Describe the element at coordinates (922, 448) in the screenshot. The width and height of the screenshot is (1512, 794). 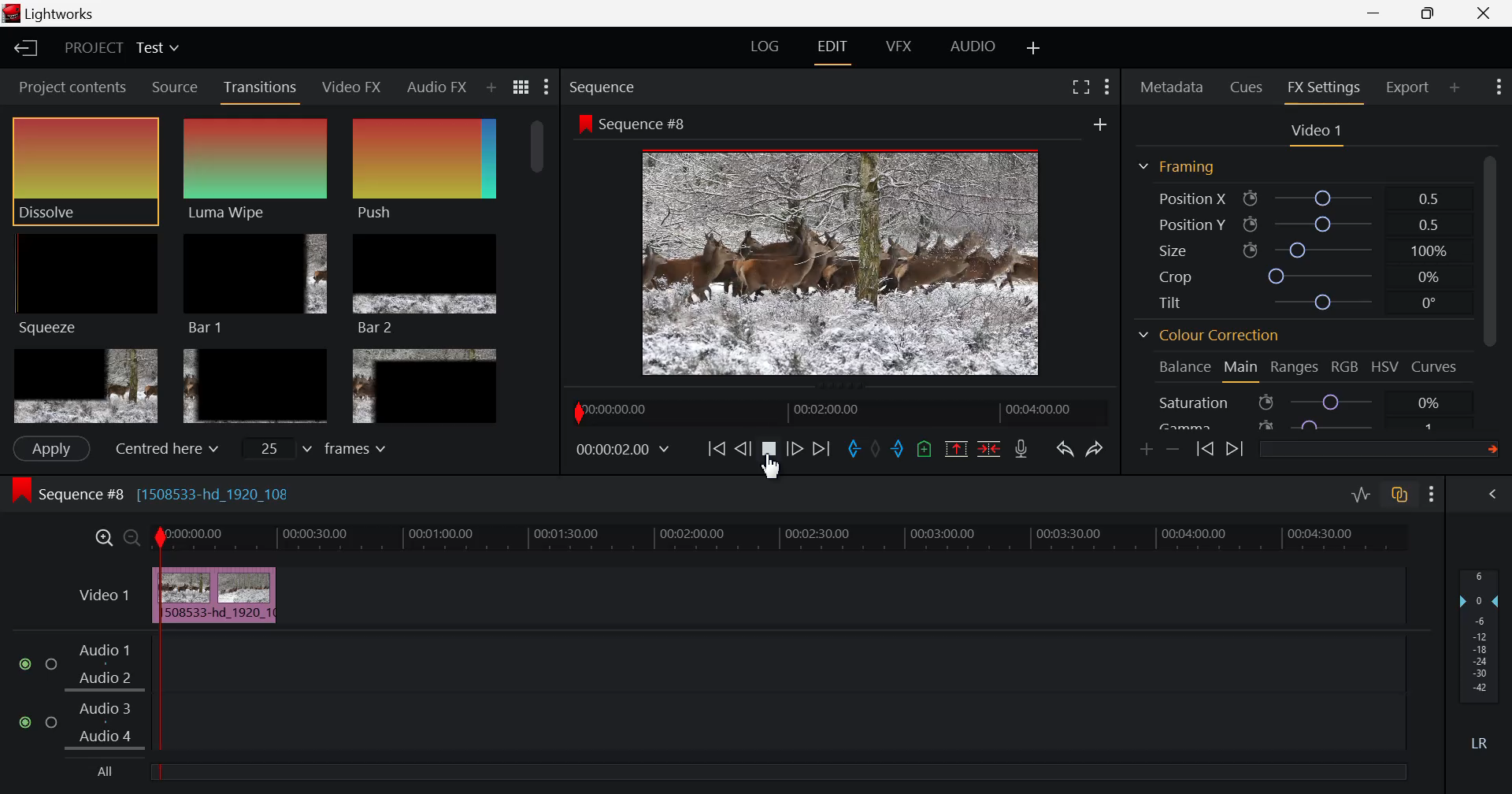
I see `Remove all cues` at that location.